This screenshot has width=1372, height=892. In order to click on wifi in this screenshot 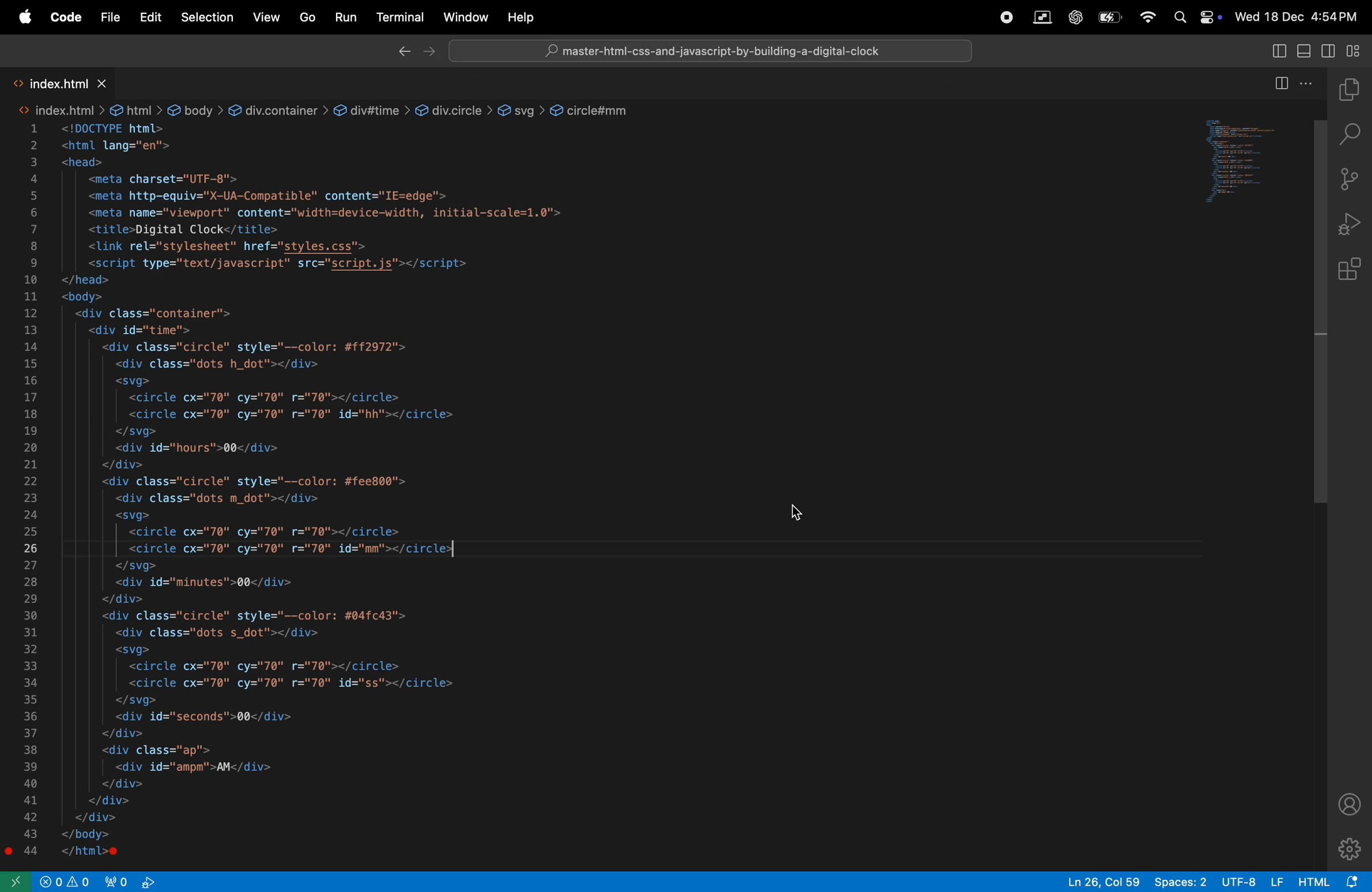, I will do `click(1143, 18)`.